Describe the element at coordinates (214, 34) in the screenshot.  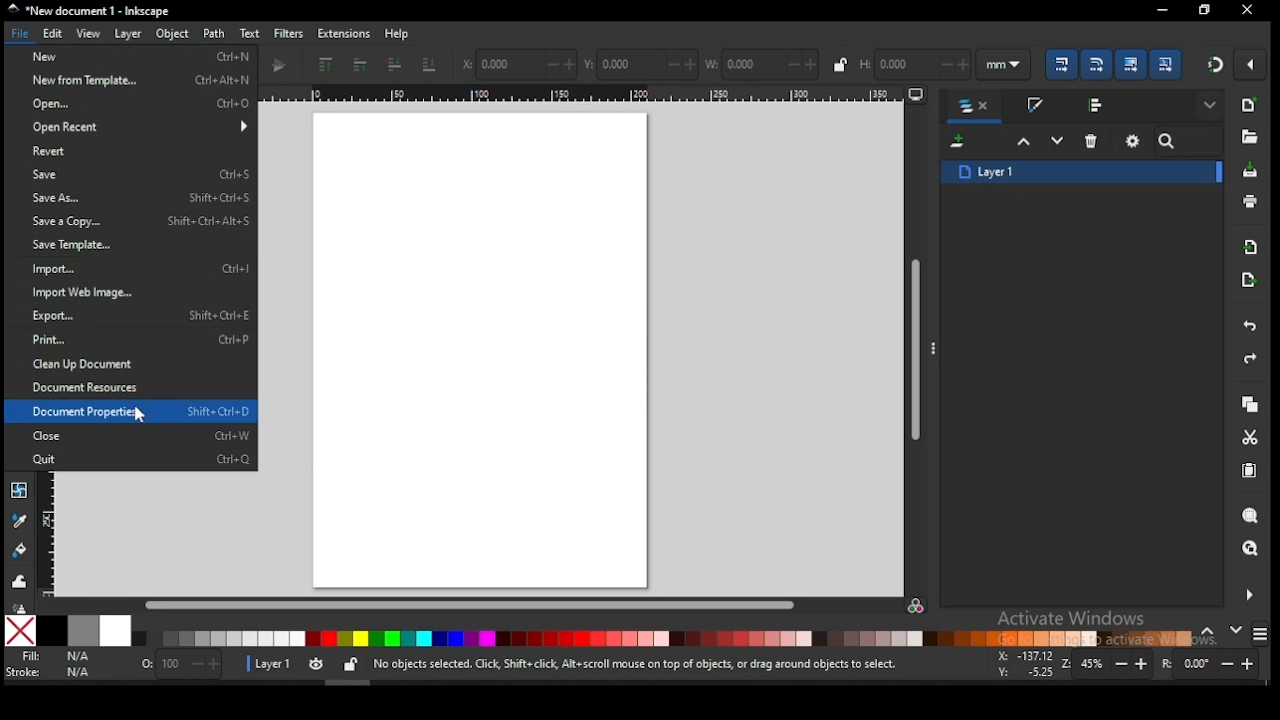
I see `path` at that location.